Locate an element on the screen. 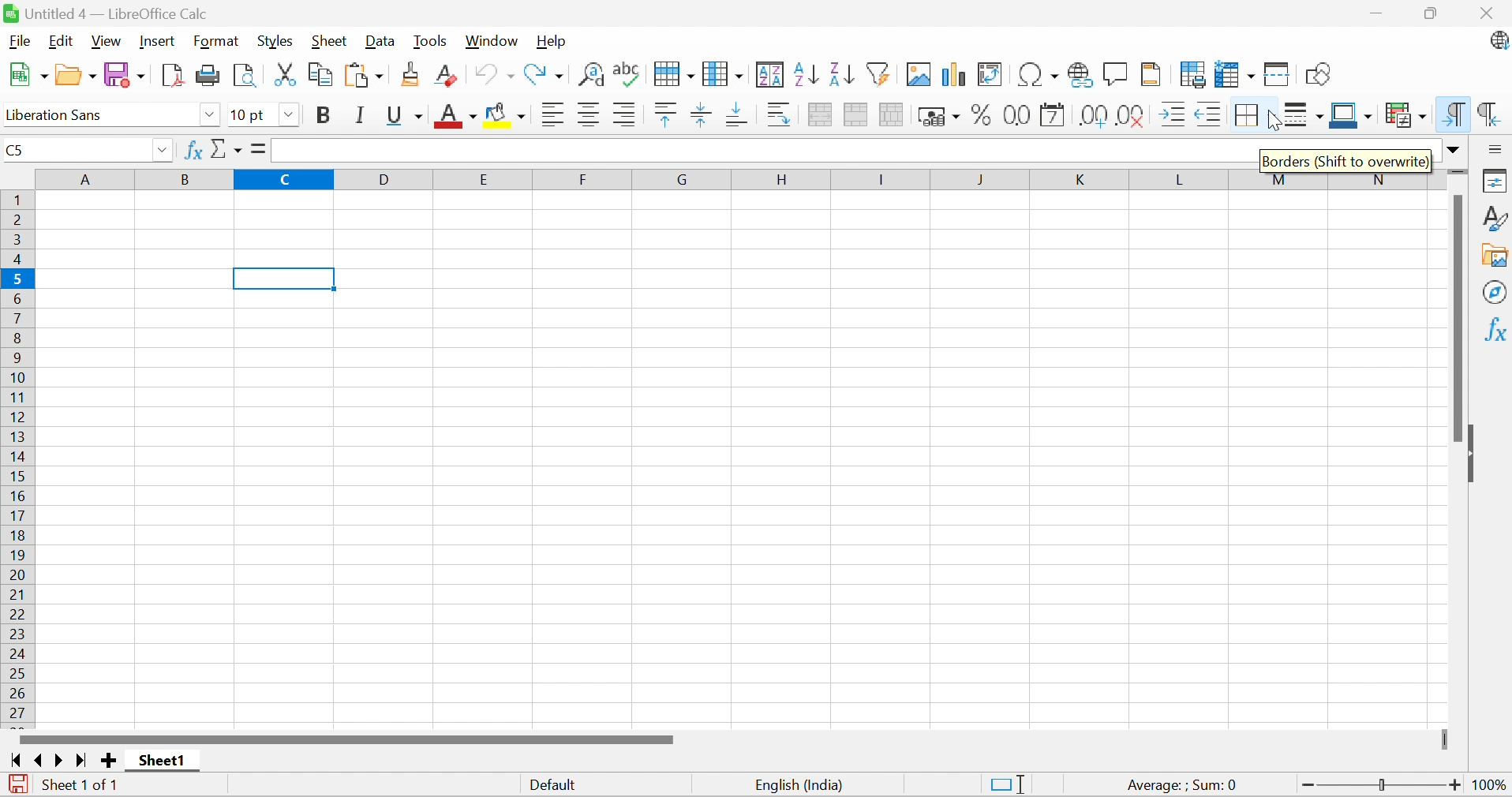  Insert chart is located at coordinates (955, 75).